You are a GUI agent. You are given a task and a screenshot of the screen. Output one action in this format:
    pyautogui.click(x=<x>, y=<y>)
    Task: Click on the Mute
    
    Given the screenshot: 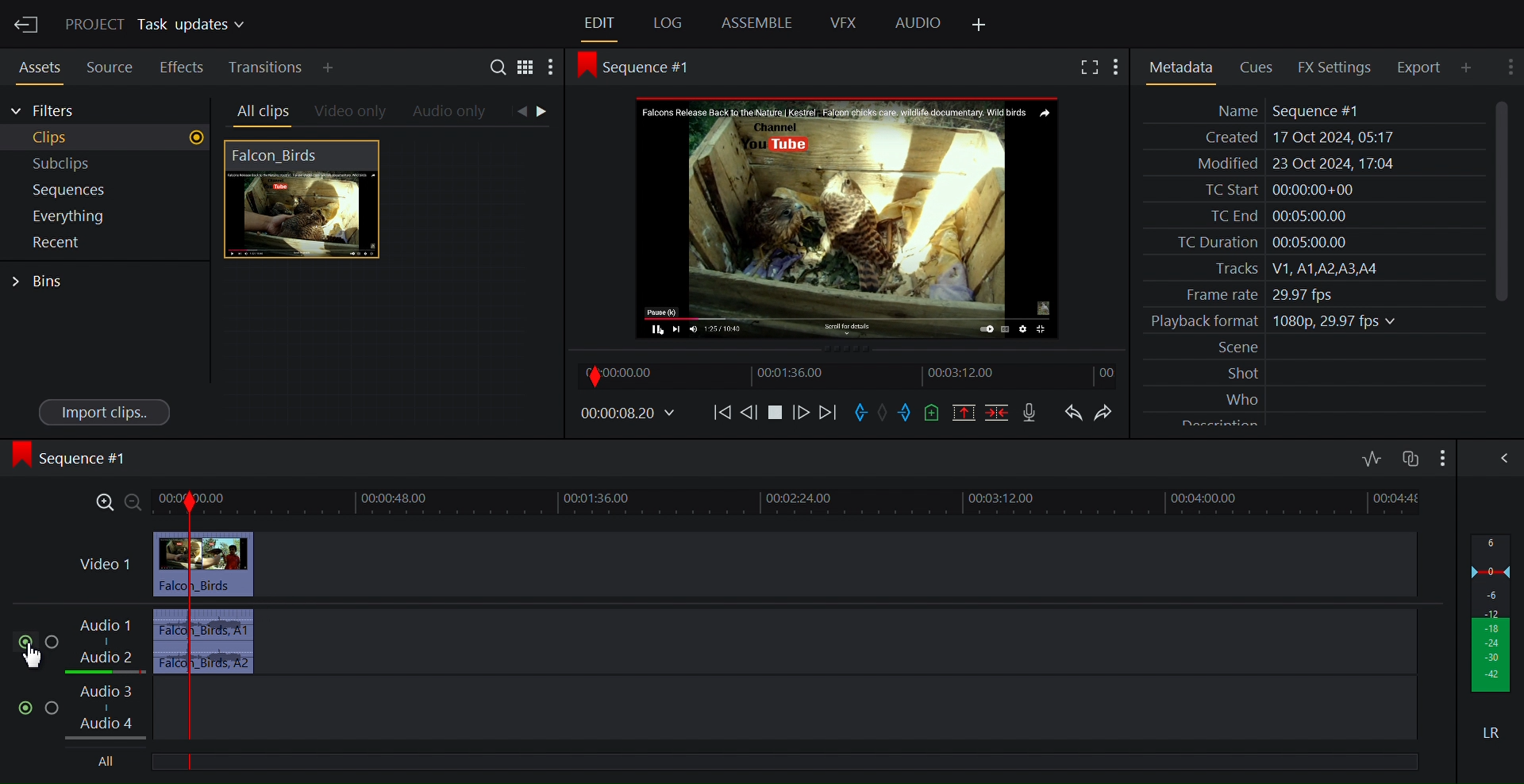 What is the action you would take?
    pyautogui.click(x=1493, y=732)
    